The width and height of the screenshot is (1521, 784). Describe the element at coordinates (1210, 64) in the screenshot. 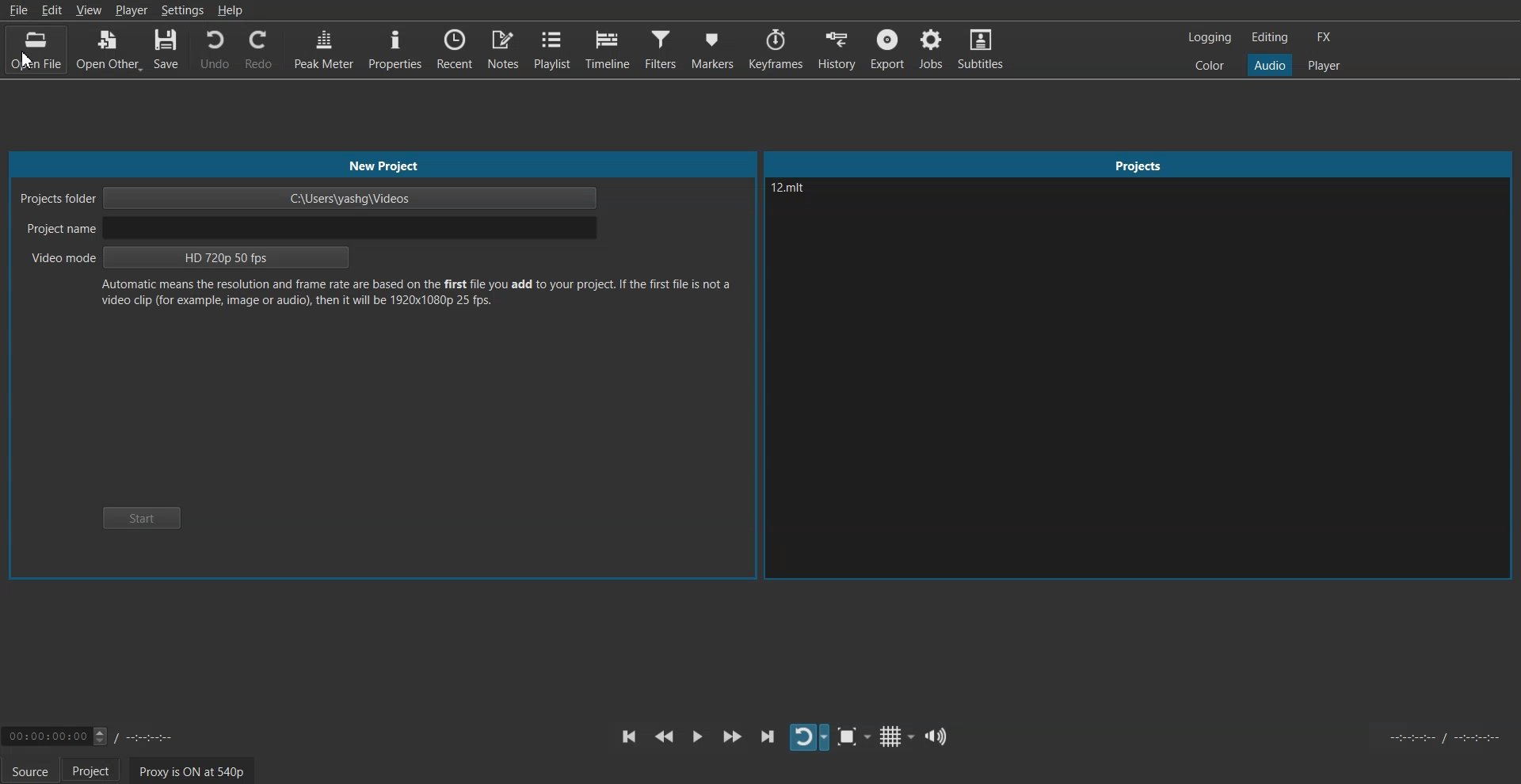

I see `Color` at that location.